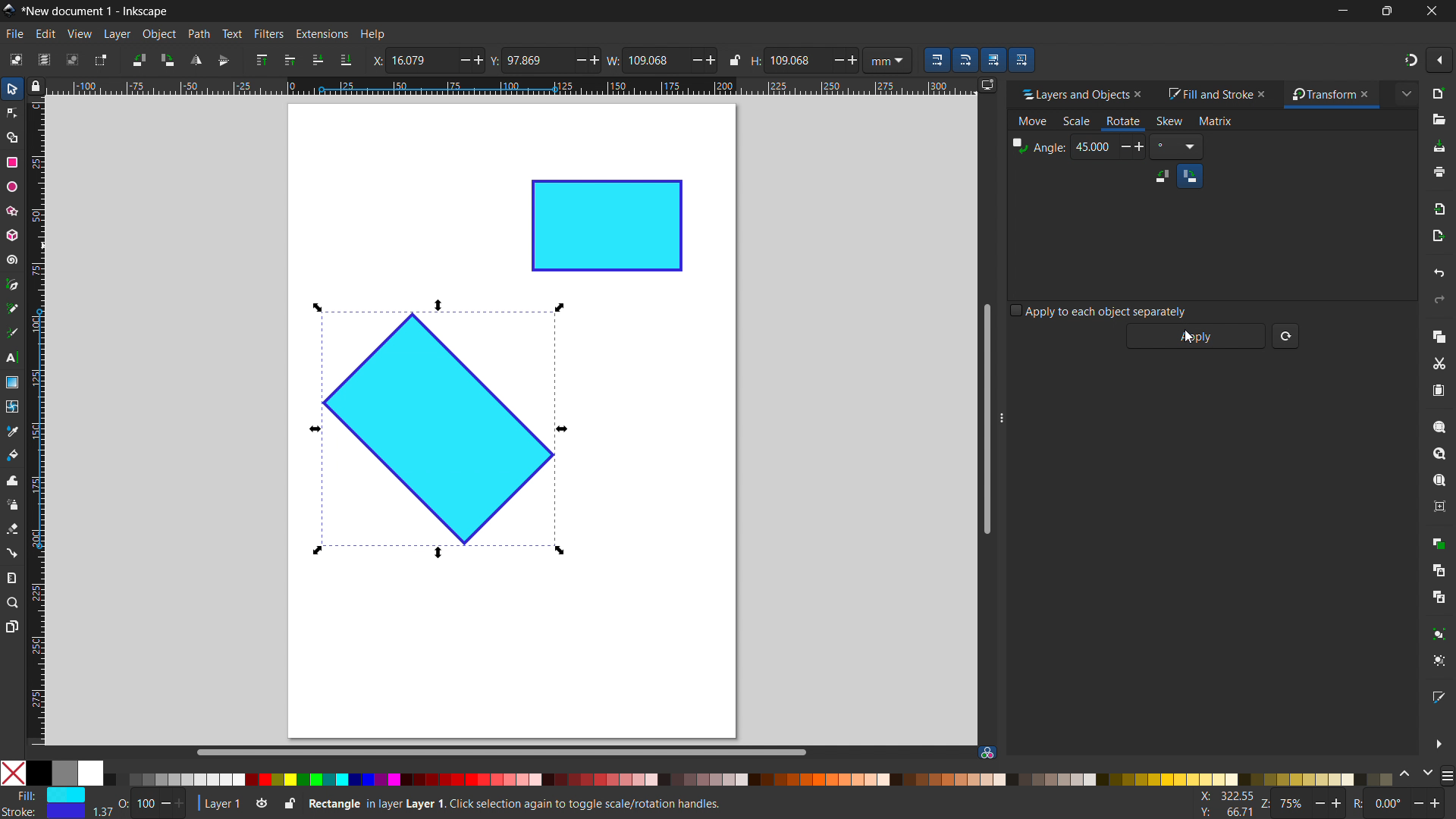 The width and height of the screenshot is (1456, 819). What do you see at coordinates (13, 284) in the screenshot?
I see `pen tool` at bounding box center [13, 284].